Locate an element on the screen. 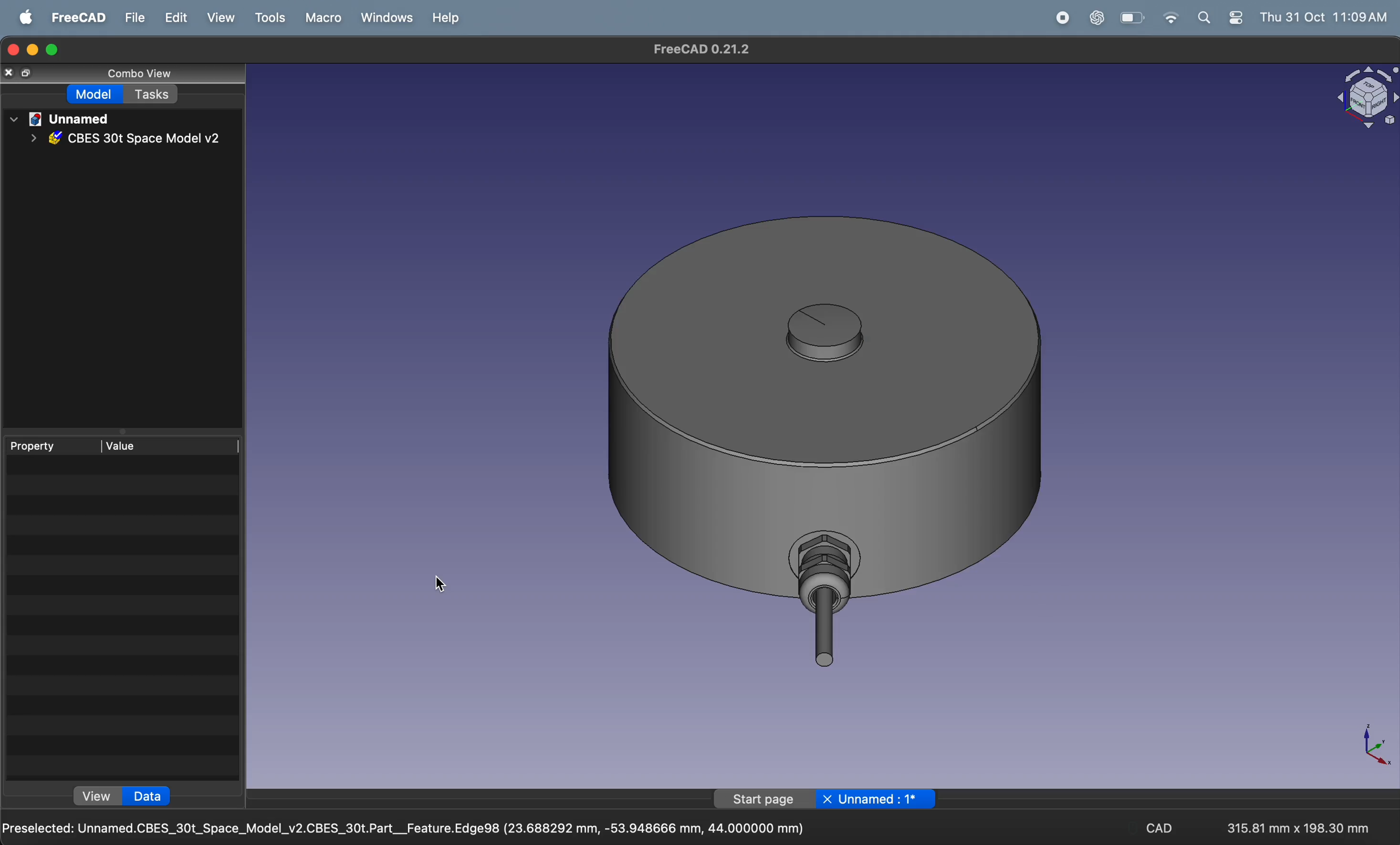  close is located at coordinates (13, 49).